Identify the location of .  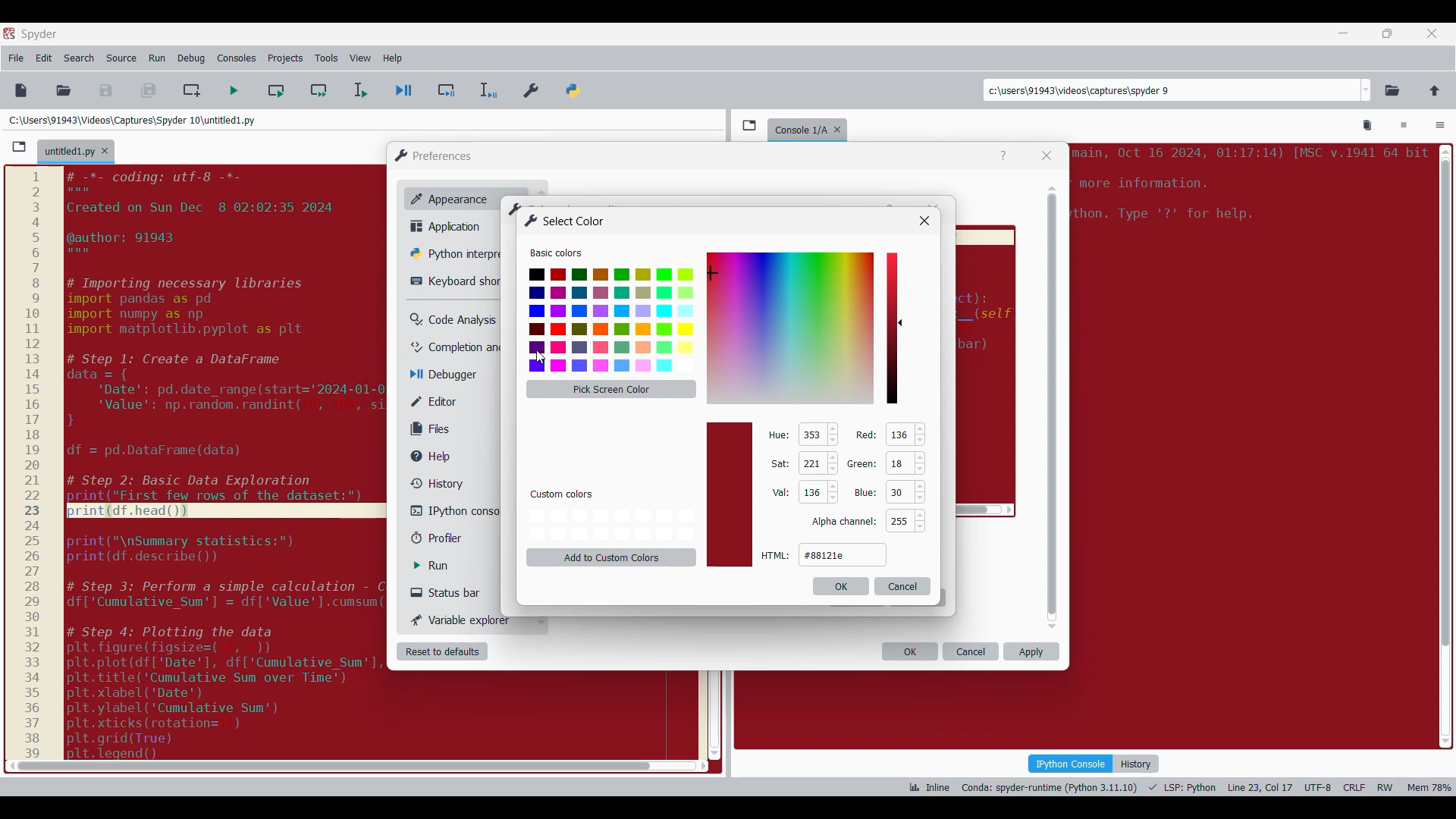
(923, 220).